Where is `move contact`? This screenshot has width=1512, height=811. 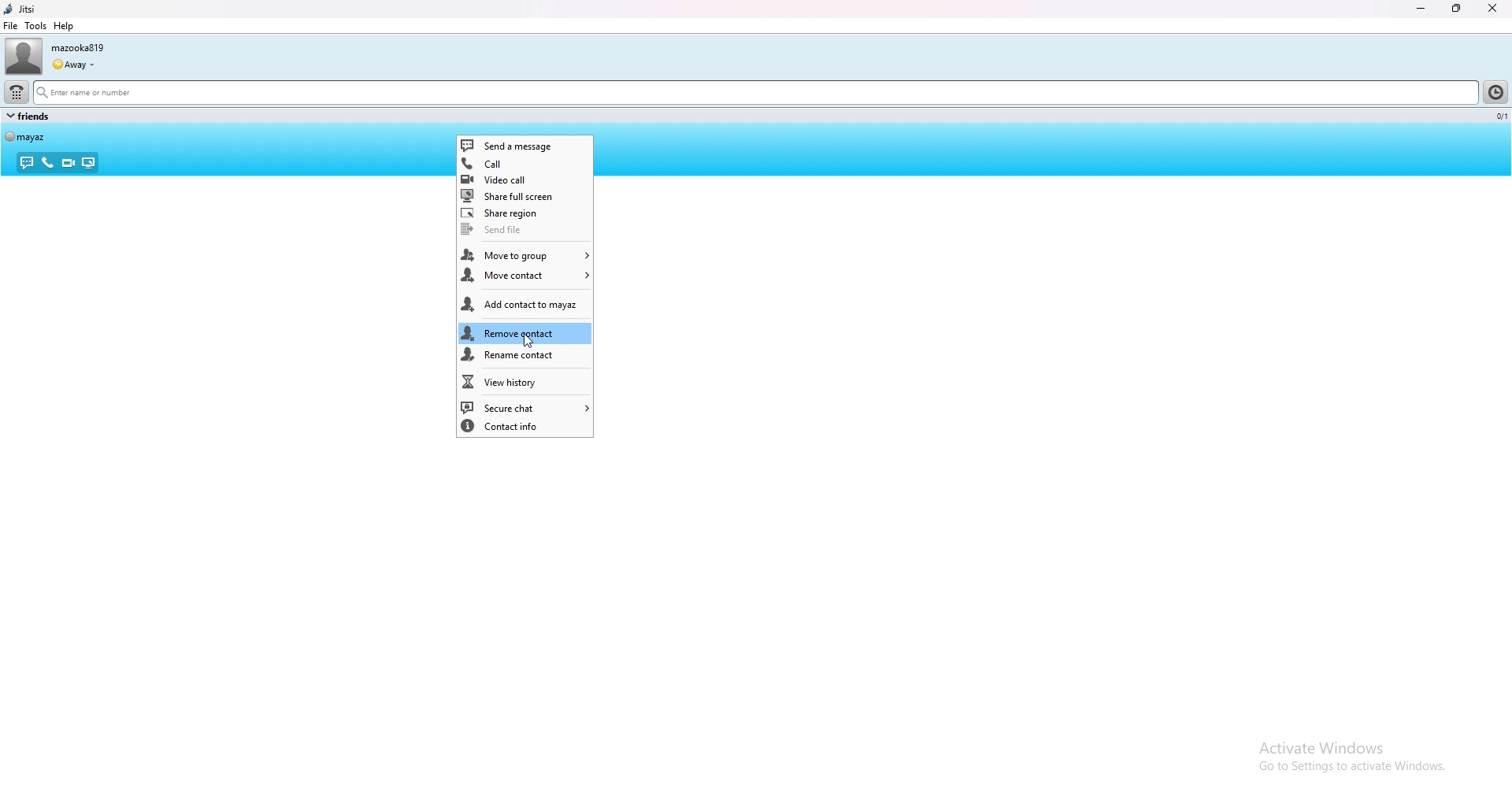 move contact is located at coordinates (525, 277).